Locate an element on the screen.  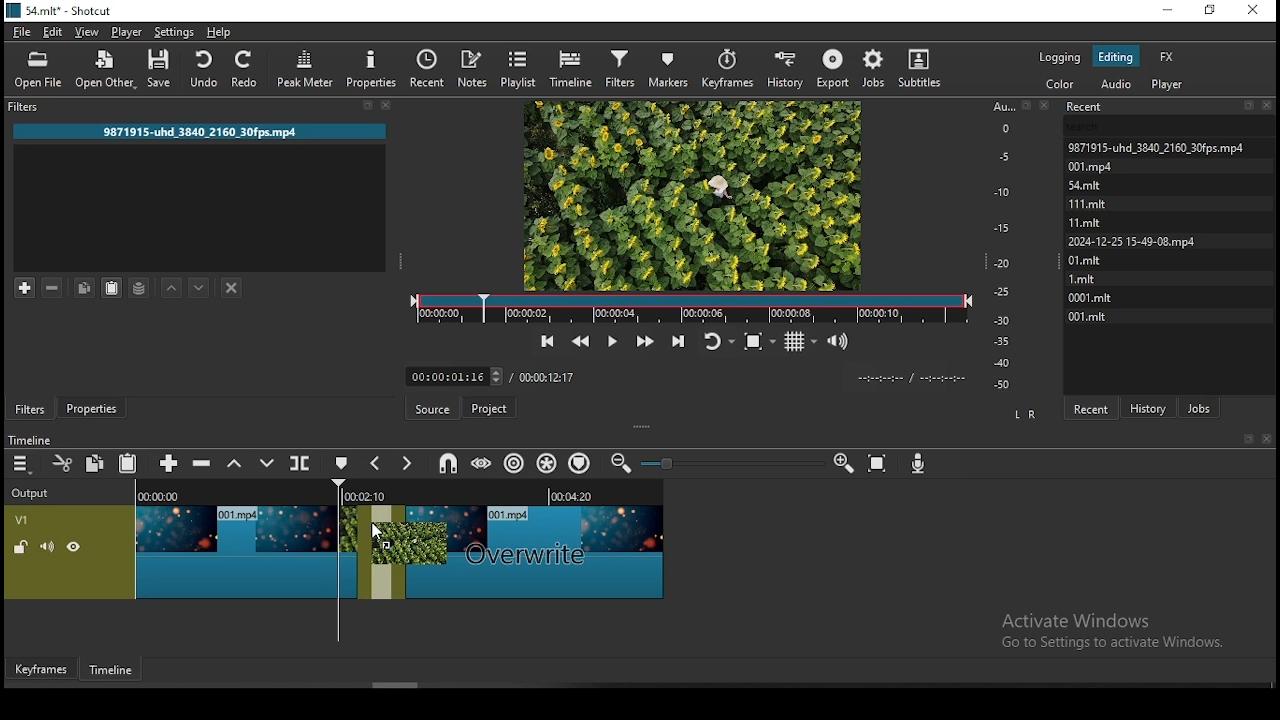
recent is located at coordinates (1089, 408).